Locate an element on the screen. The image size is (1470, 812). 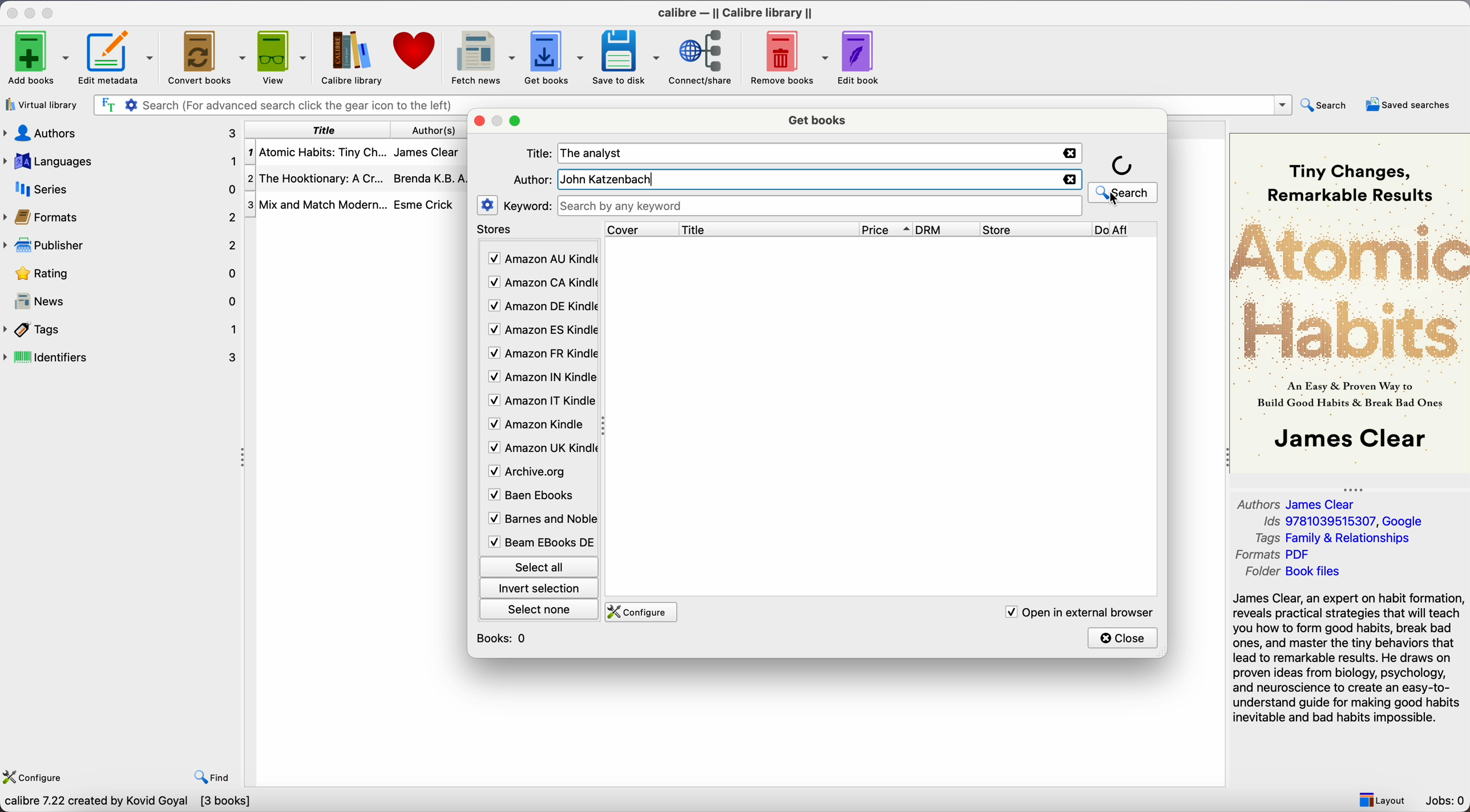
Baen Ebooks is located at coordinates (535, 498).